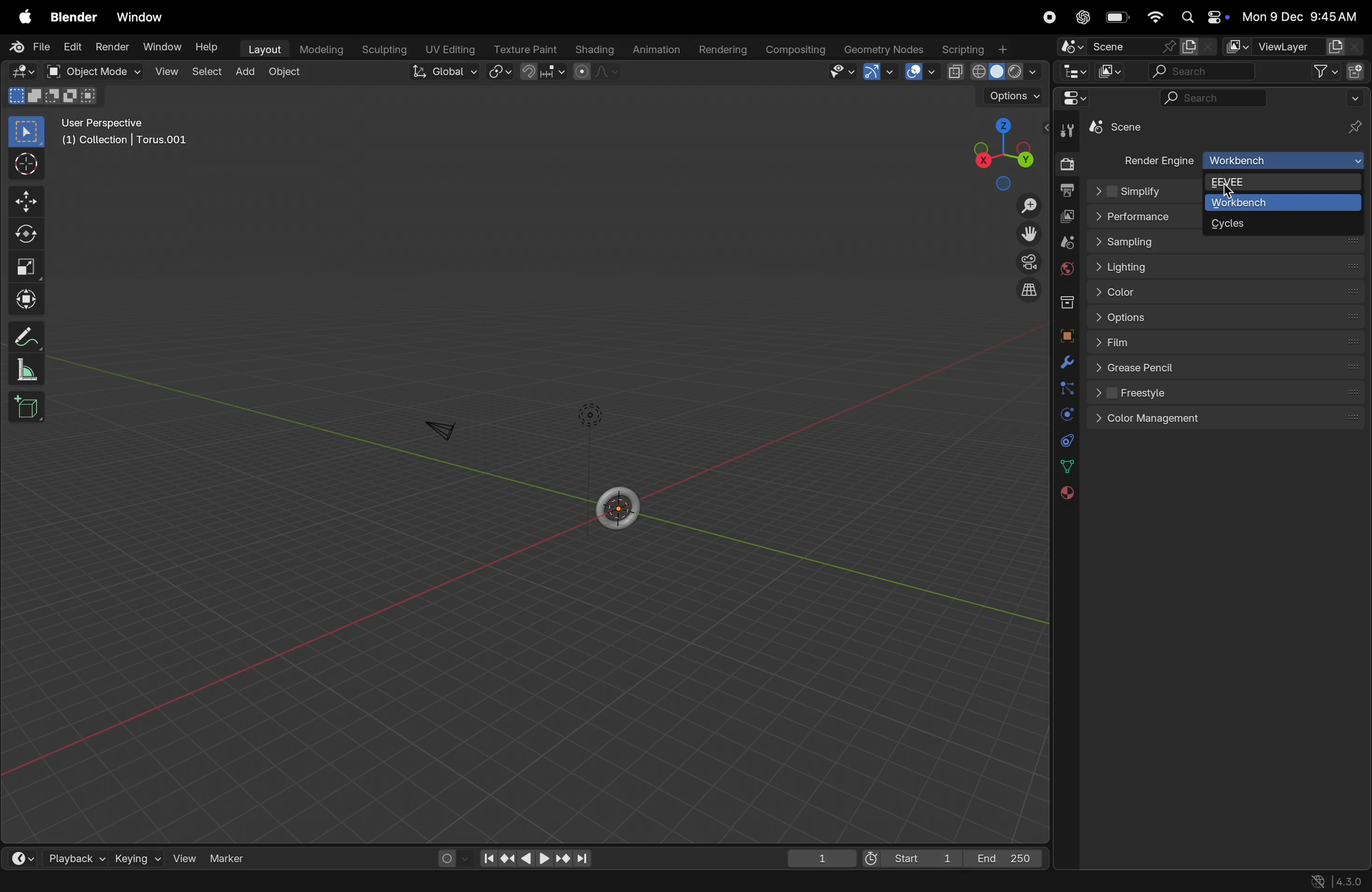 The height and width of the screenshot is (892, 1372). Describe the element at coordinates (917, 73) in the screenshot. I see `space` at that location.